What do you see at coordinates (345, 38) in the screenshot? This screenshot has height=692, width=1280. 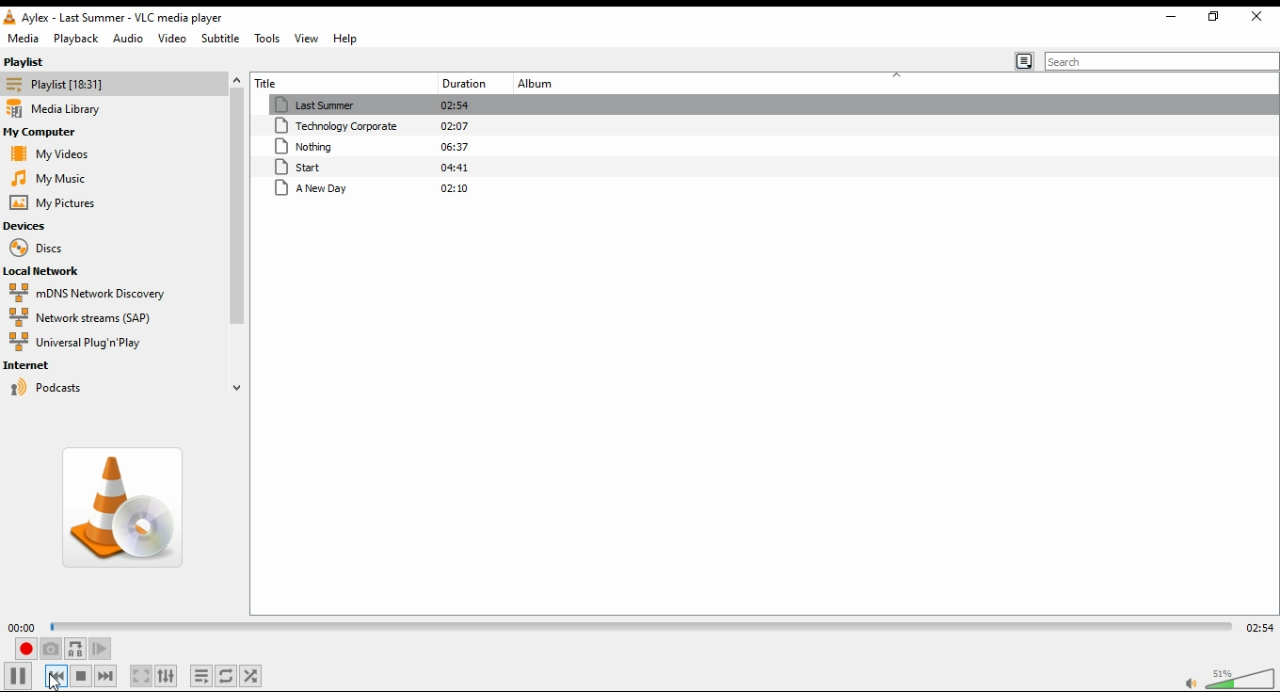 I see `help` at bounding box center [345, 38].